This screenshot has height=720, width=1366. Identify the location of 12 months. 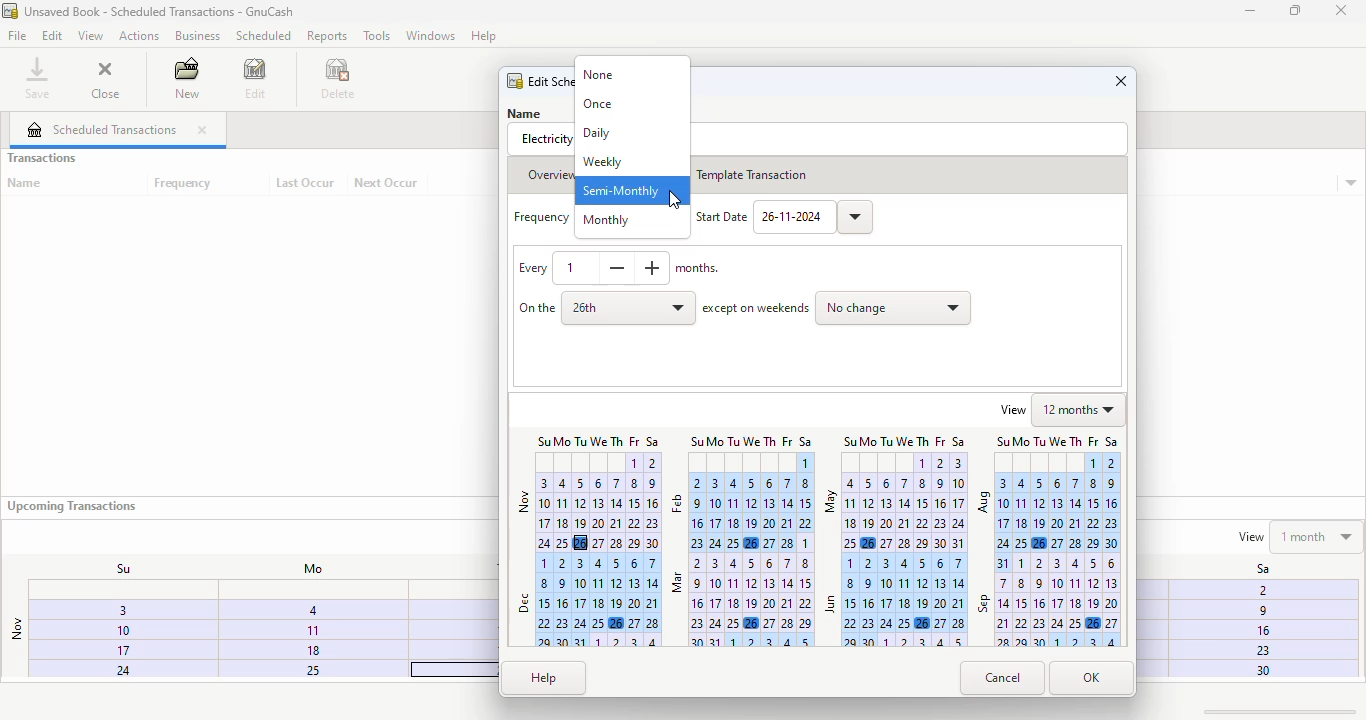
(1080, 409).